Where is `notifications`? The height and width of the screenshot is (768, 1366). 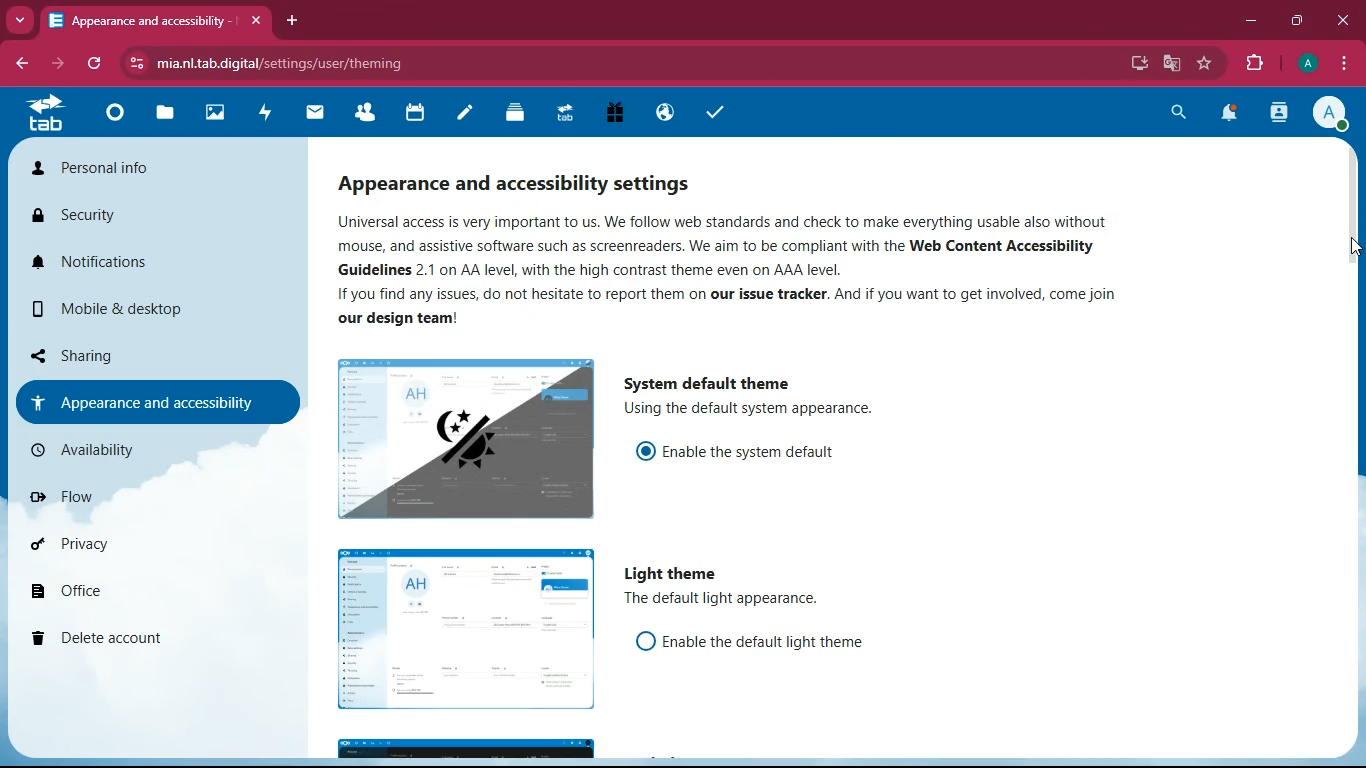
notifications is located at coordinates (126, 270).